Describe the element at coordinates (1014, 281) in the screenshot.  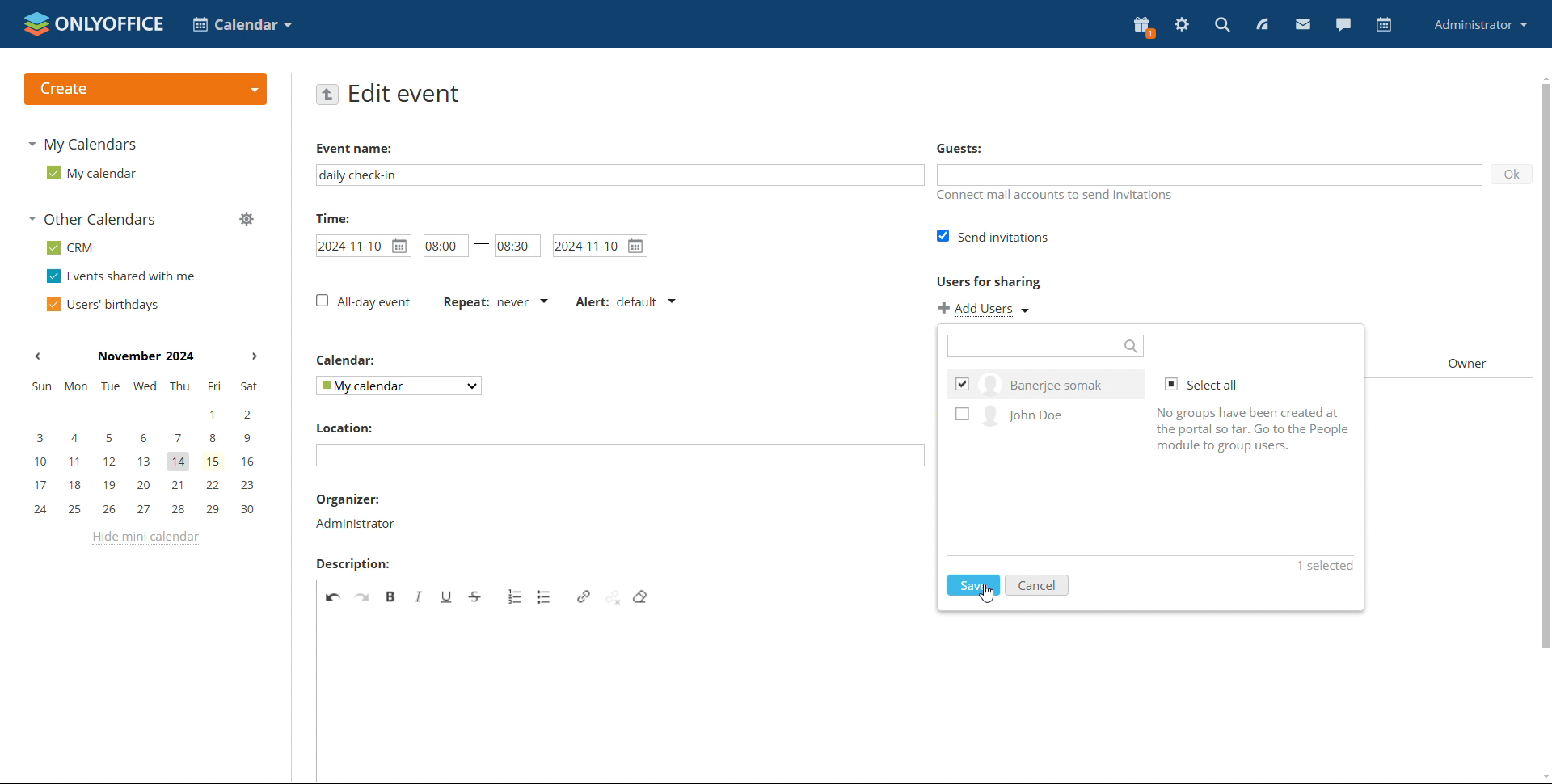
I see `user for sharing:` at that location.